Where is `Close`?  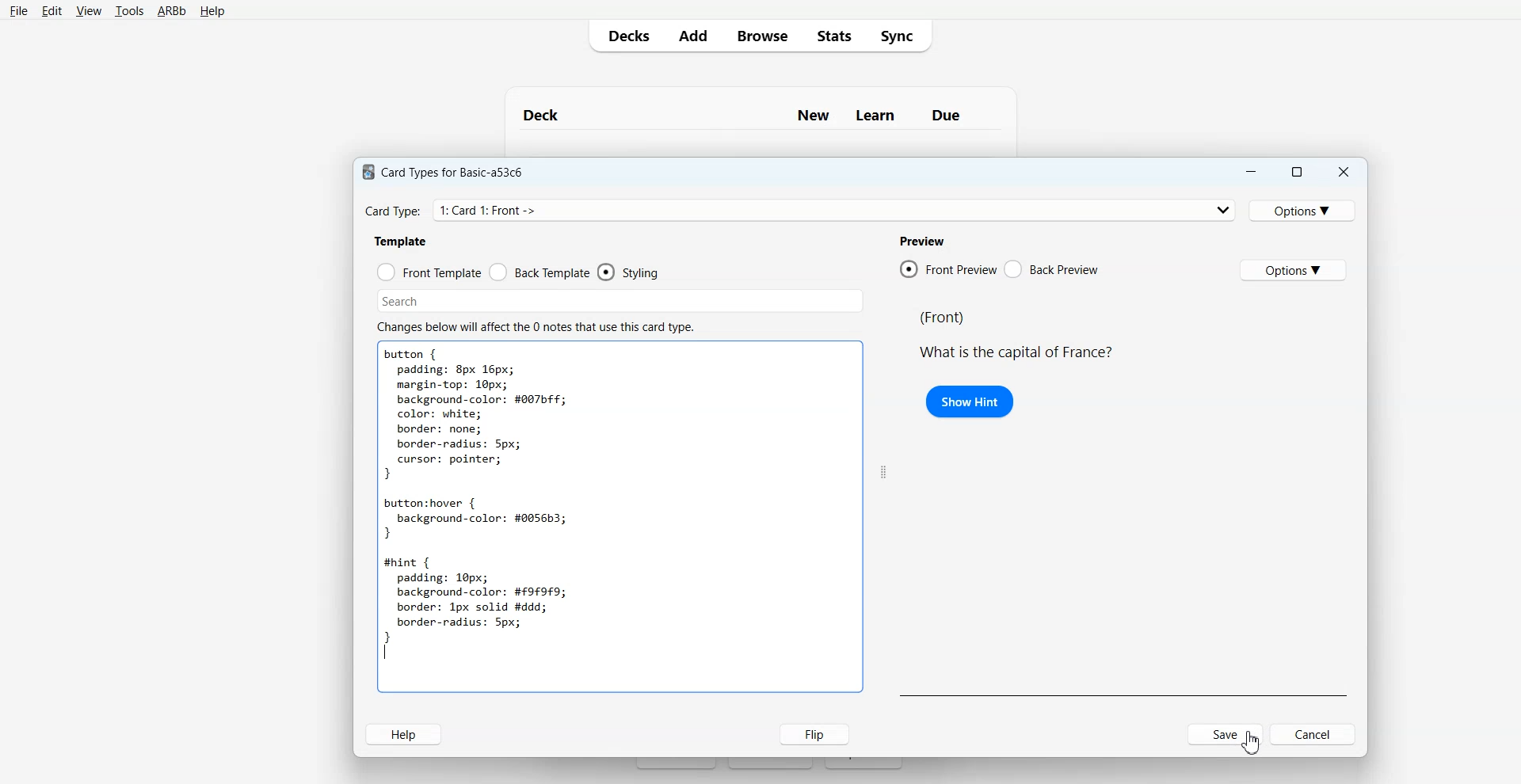 Close is located at coordinates (1343, 173).